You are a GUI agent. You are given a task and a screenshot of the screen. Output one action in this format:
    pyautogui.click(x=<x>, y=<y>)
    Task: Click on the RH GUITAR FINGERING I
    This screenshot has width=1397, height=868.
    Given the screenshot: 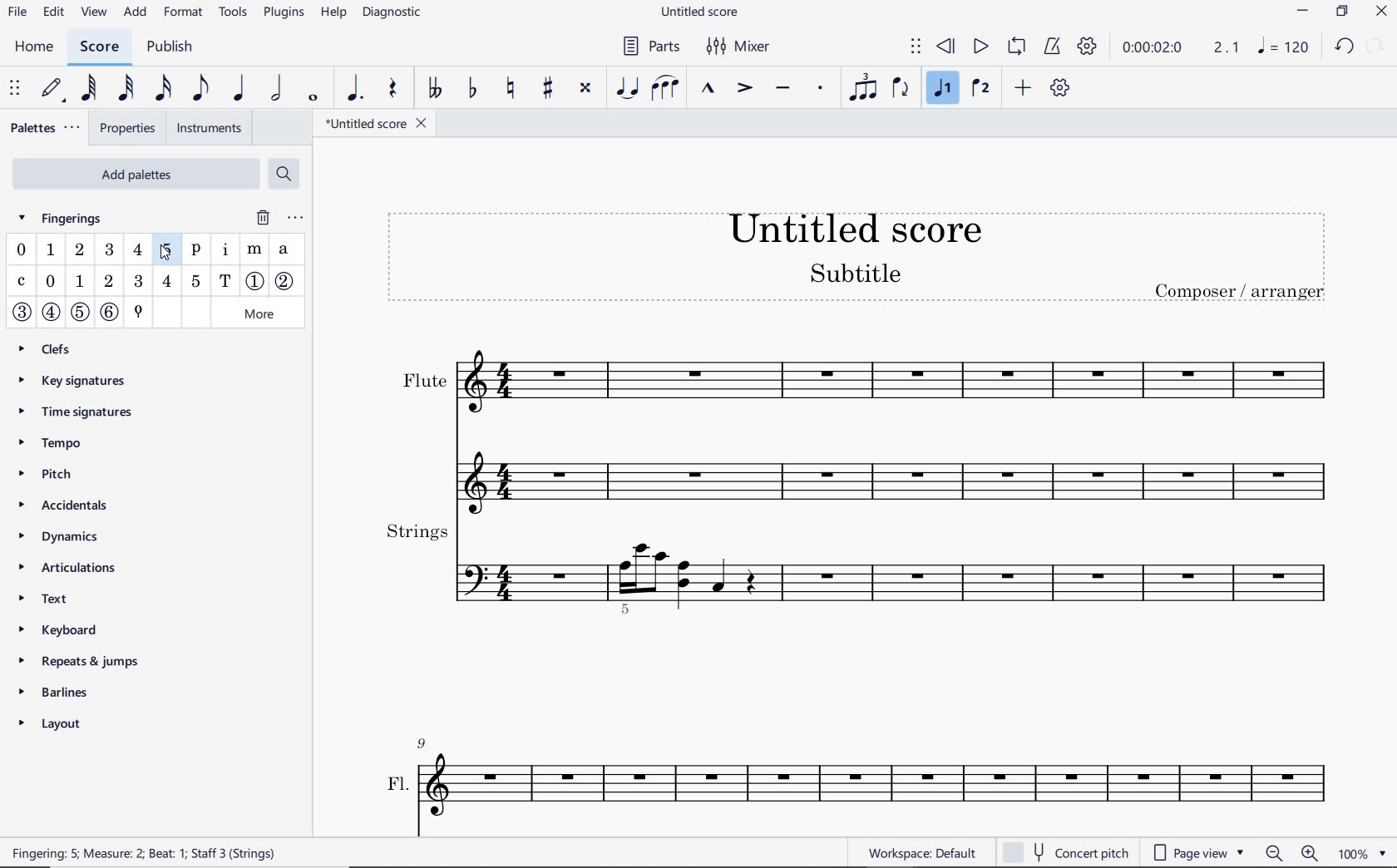 What is the action you would take?
    pyautogui.click(x=225, y=252)
    